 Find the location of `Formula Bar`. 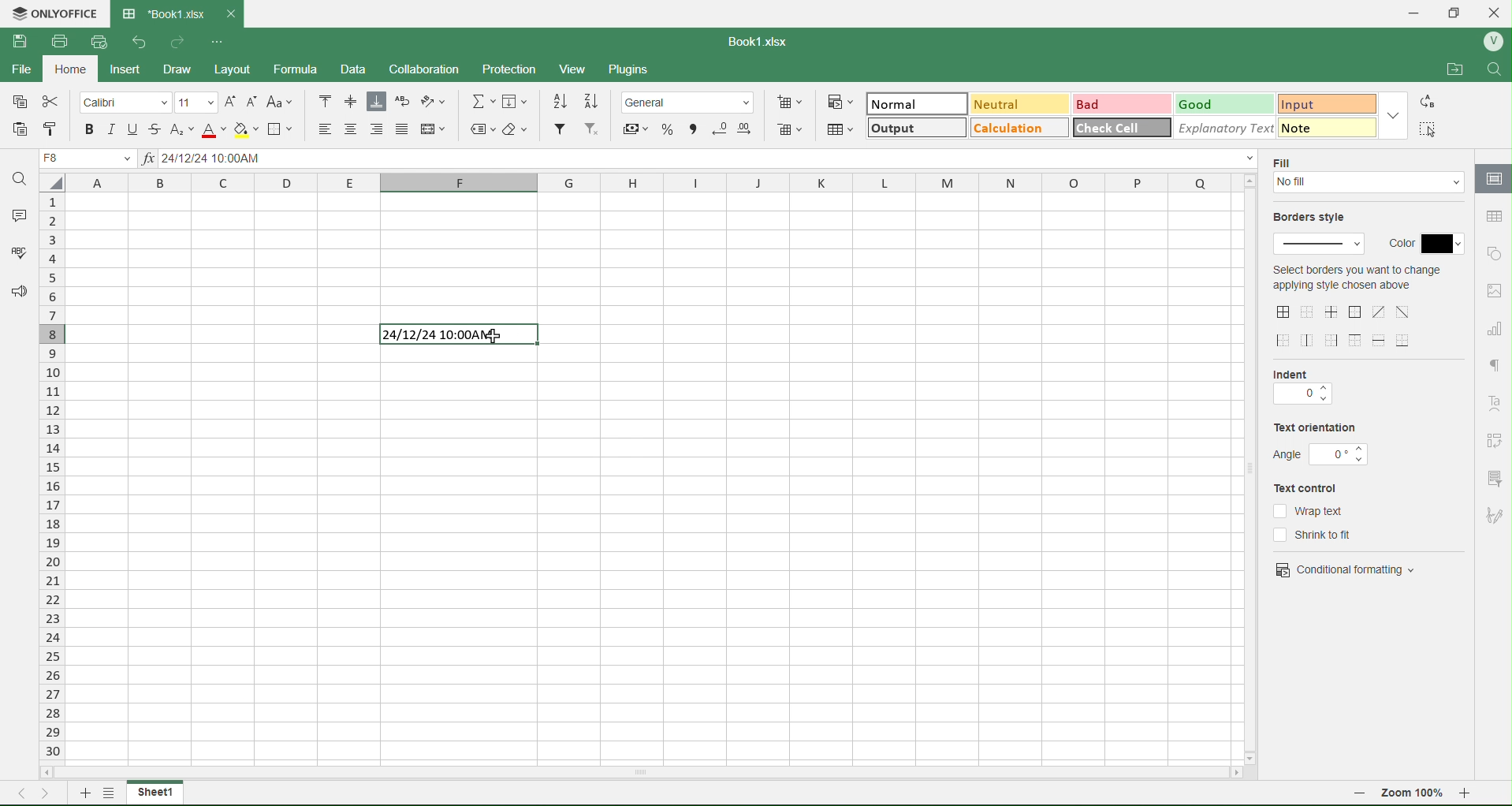

Formula Bar is located at coordinates (701, 160).